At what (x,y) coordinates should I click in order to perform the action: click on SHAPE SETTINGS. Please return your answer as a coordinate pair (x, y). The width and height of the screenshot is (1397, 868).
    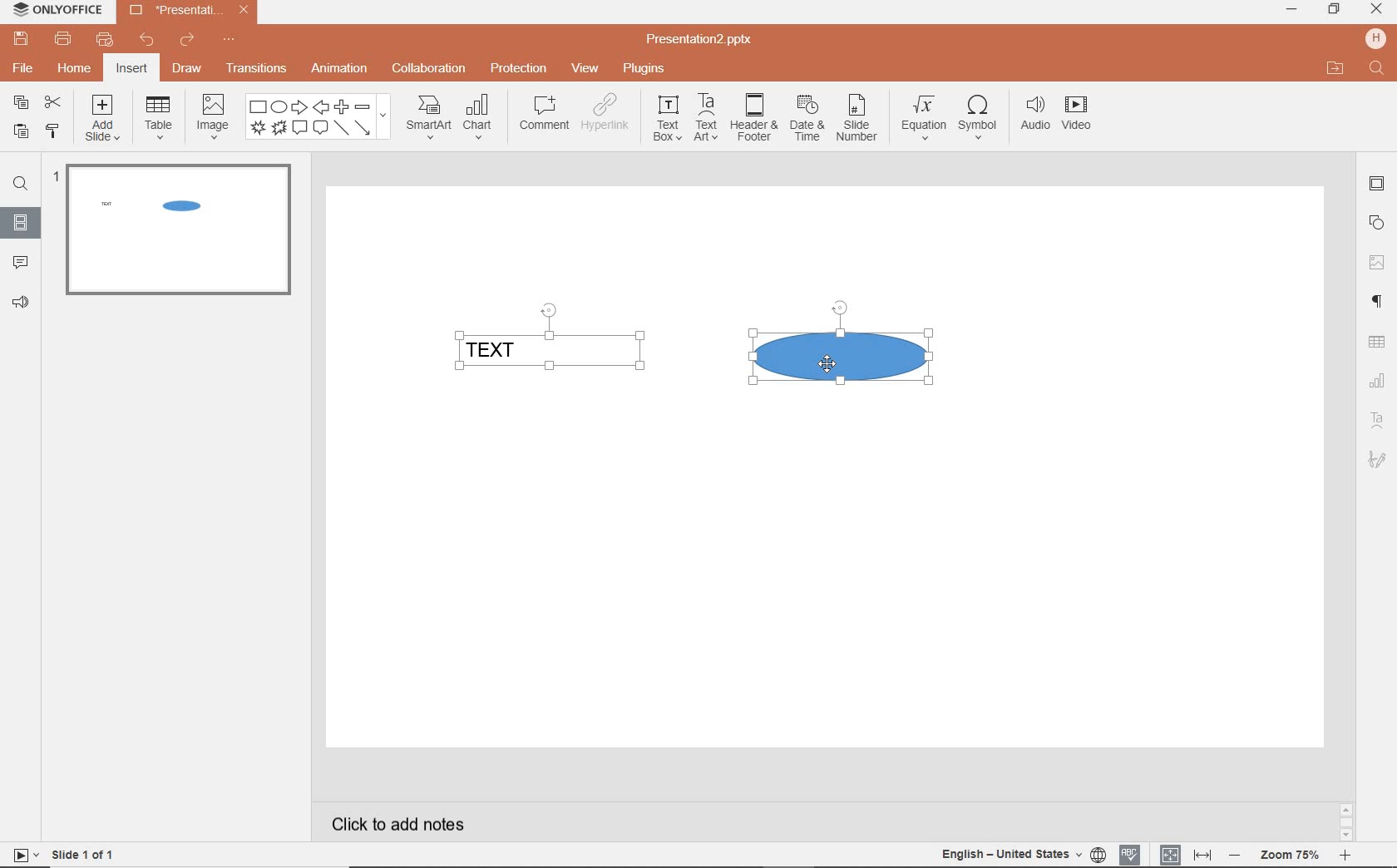
    Looking at the image, I should click on (1378, 220).